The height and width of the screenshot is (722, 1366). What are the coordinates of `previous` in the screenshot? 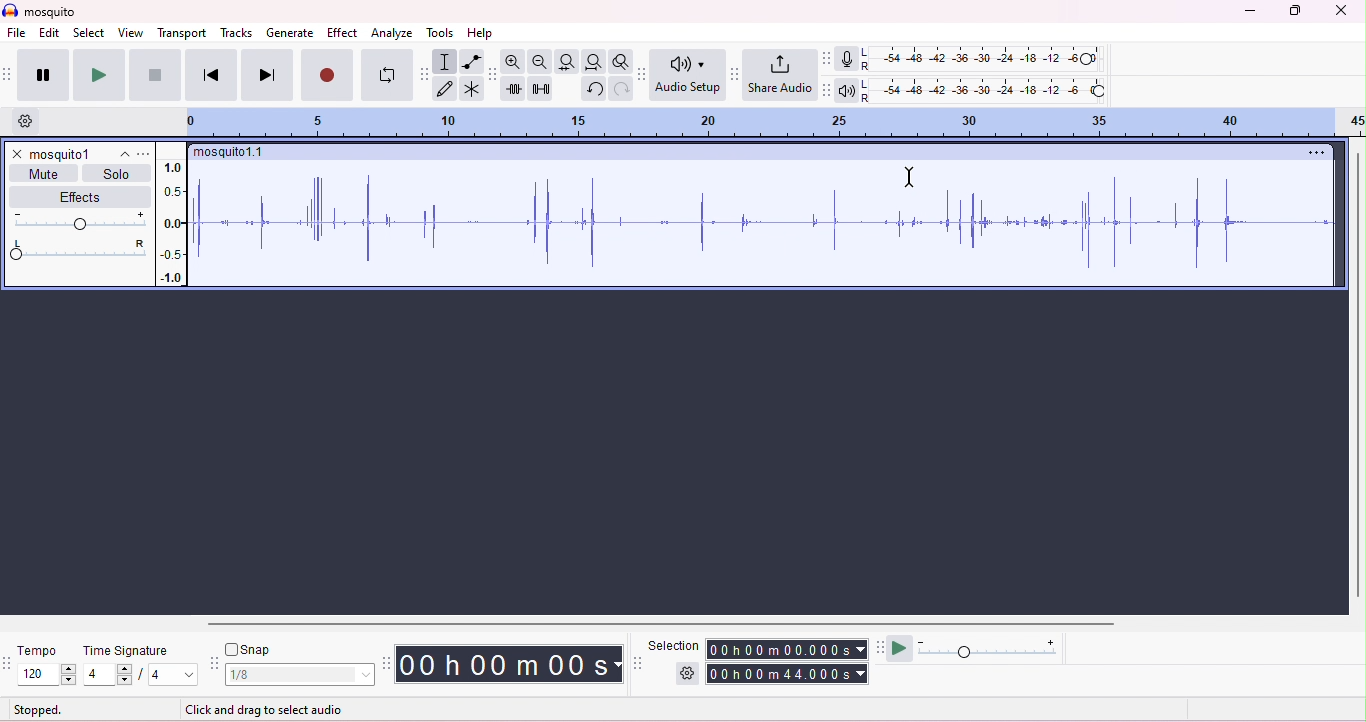 It's located at (211, 74).